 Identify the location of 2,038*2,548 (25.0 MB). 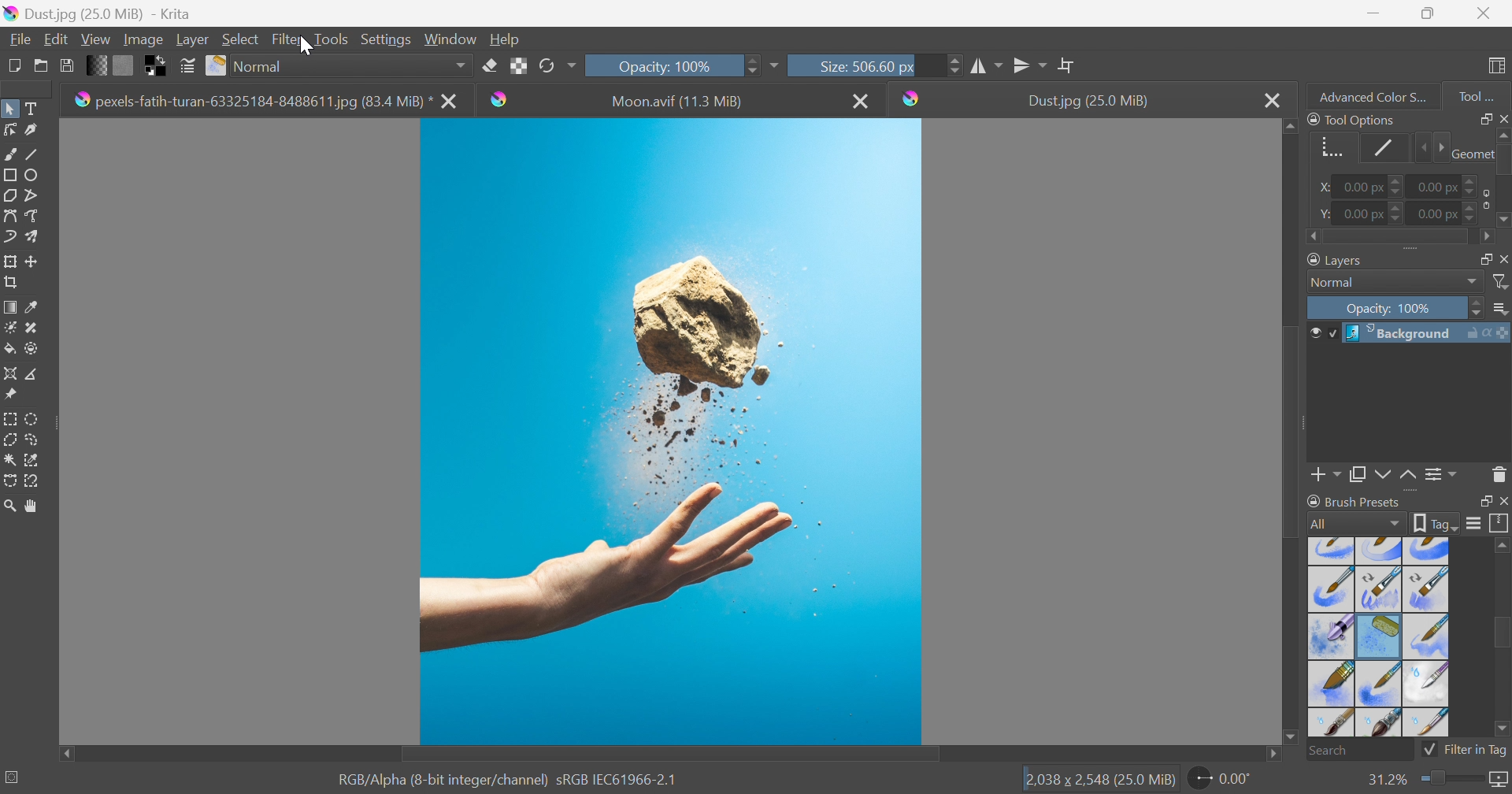
(1100, 781).